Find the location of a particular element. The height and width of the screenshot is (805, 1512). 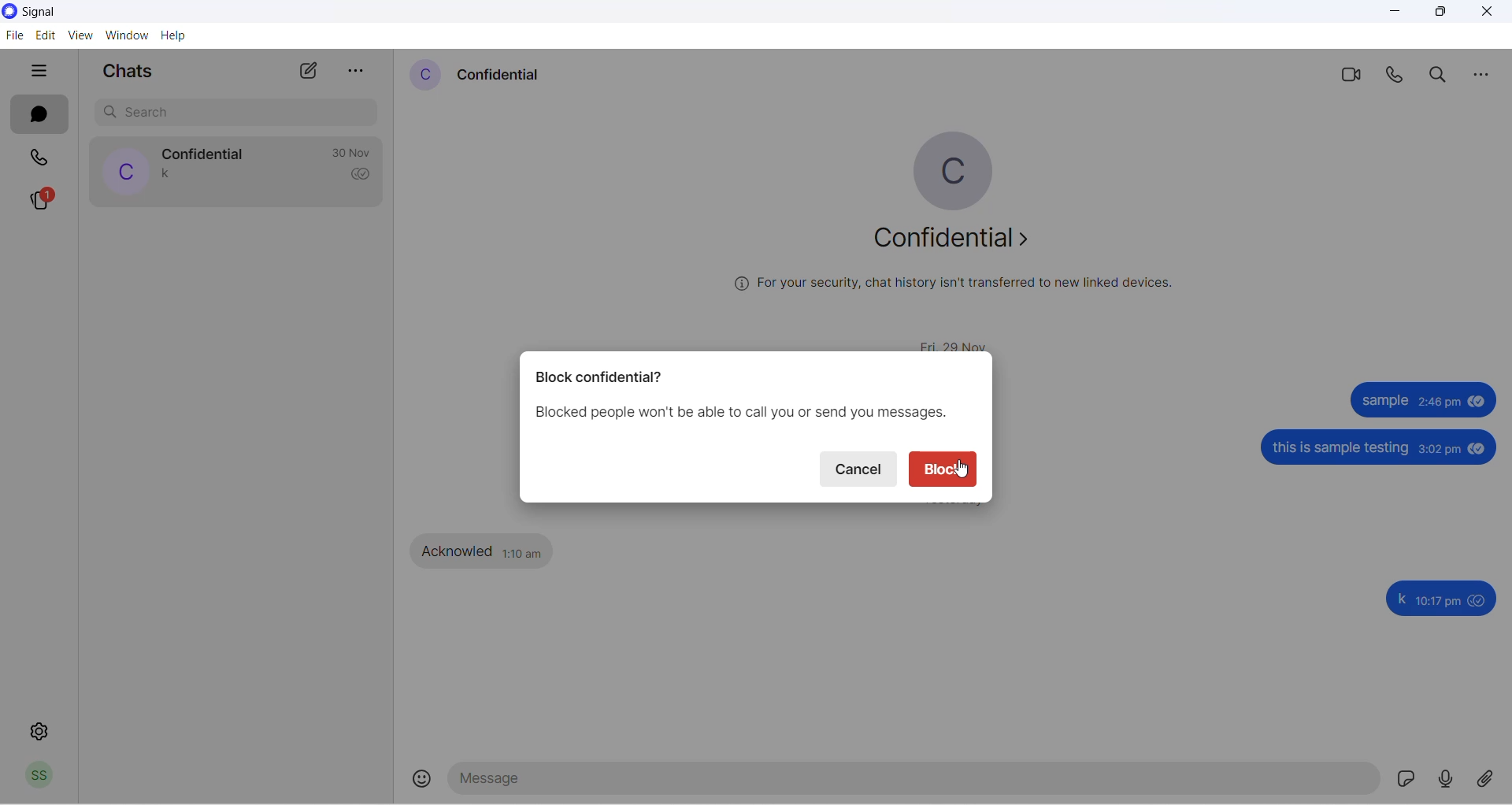

chats is located at coordinates (40, 114).